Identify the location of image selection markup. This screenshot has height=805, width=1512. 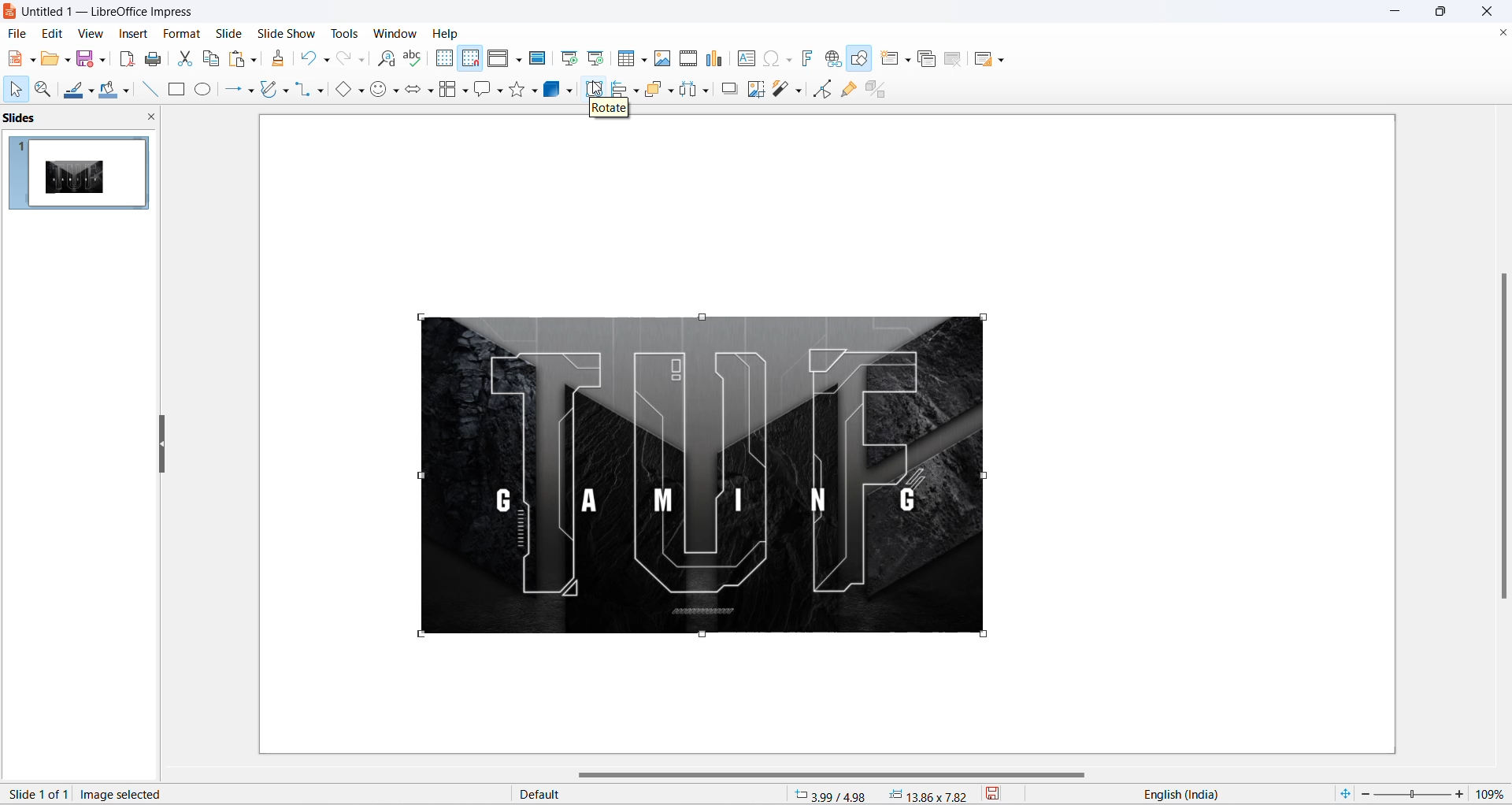
(984, 636).